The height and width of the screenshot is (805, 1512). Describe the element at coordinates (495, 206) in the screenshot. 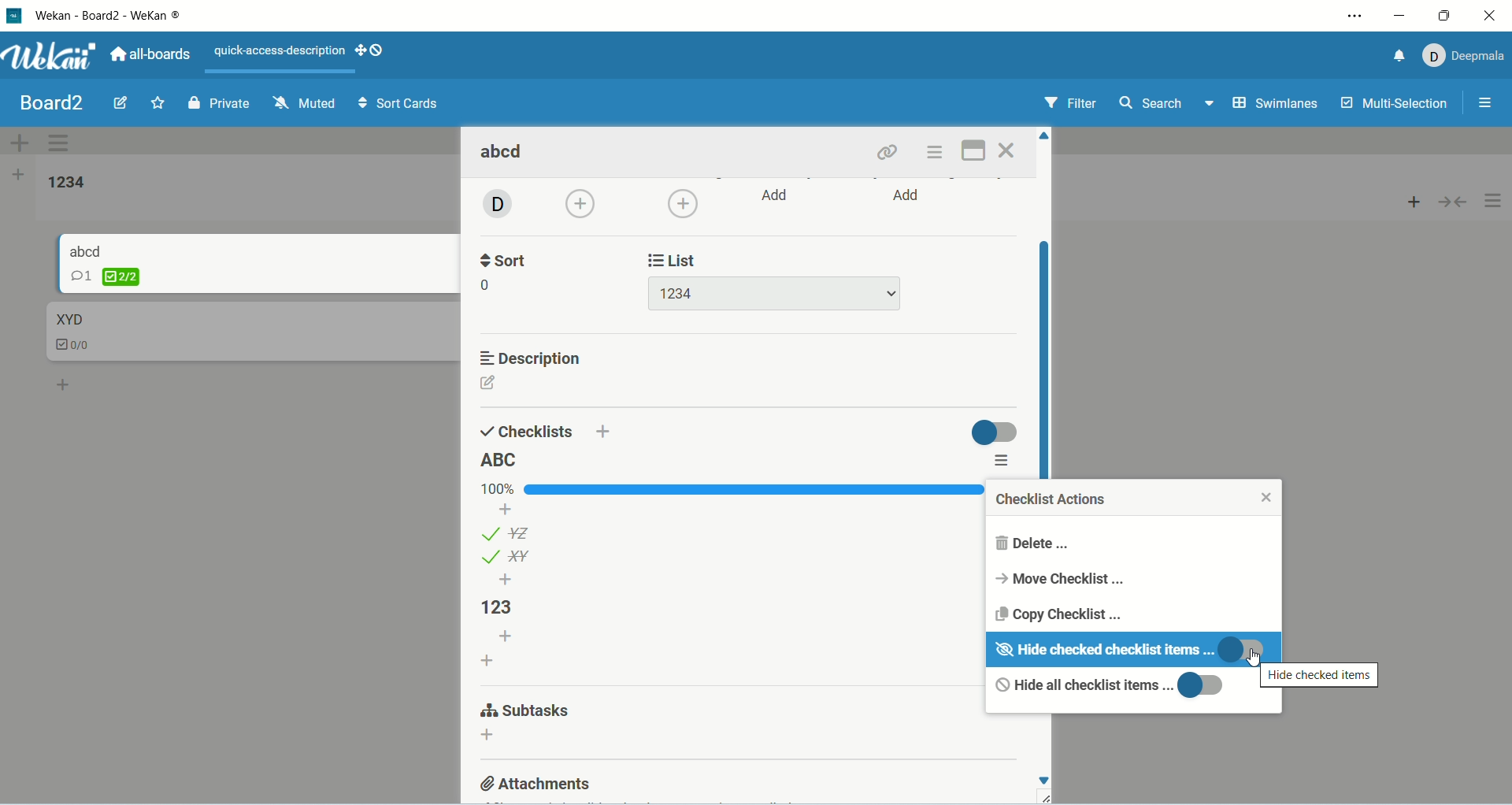

I see `avatar` at that location.